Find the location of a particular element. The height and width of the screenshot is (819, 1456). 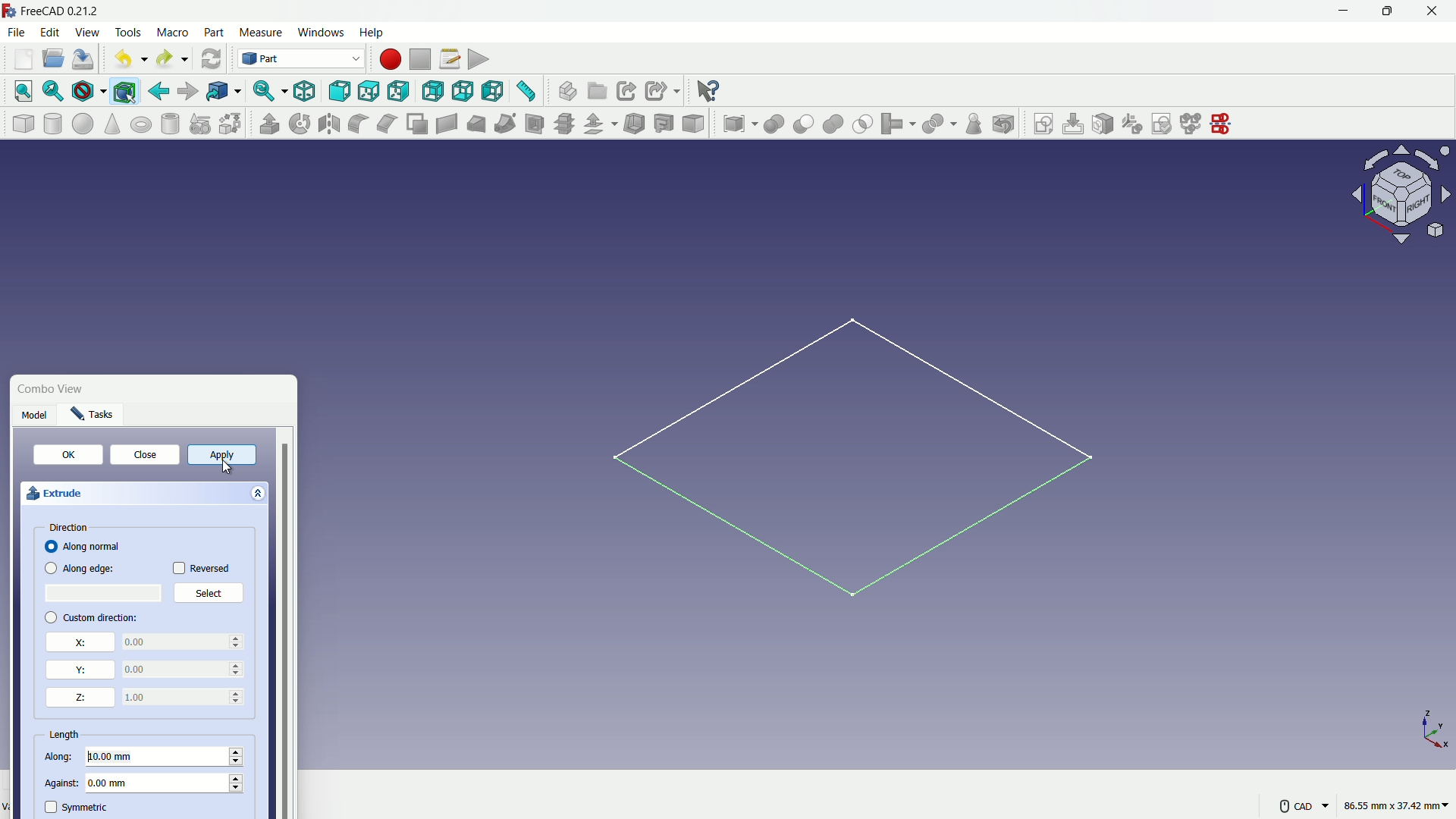

y direction is located at coordinates (78, 670).